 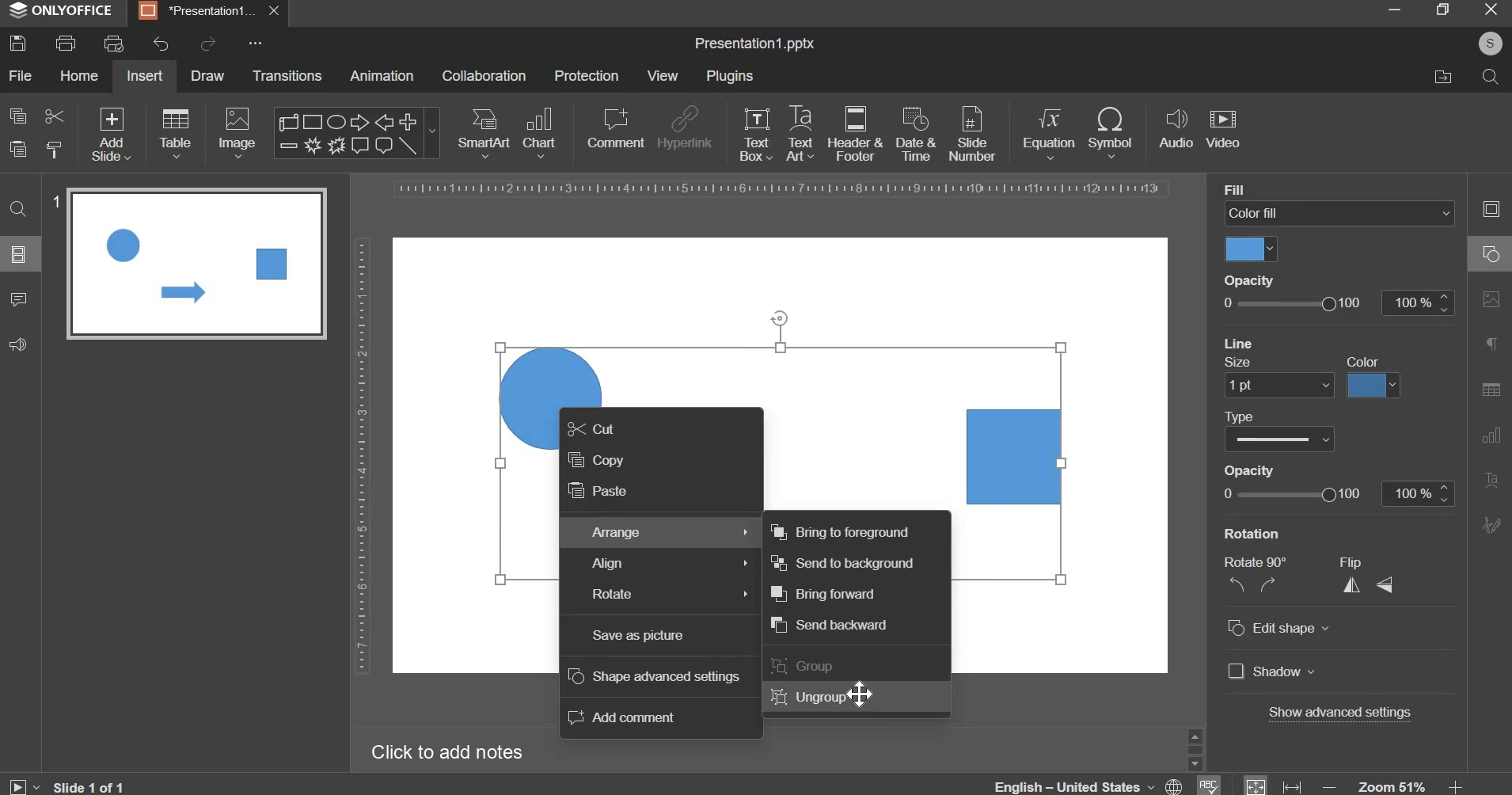 What do you see at coordinates (17, 344) in the screenshot?
I see `feedback` at bounding box center [17, 344].